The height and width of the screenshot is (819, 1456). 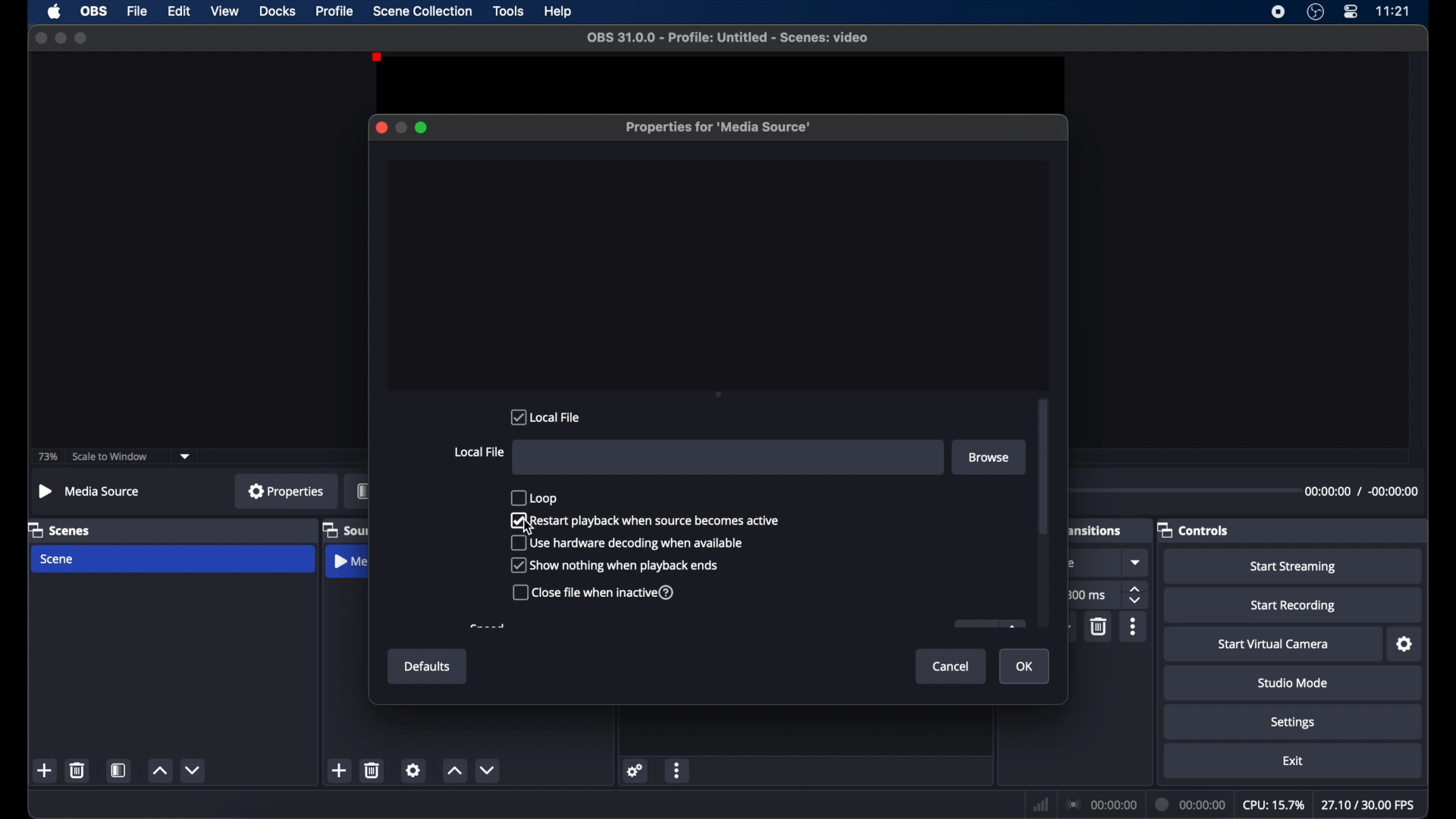 I want to click on fps, so click(x=1368, y=805).